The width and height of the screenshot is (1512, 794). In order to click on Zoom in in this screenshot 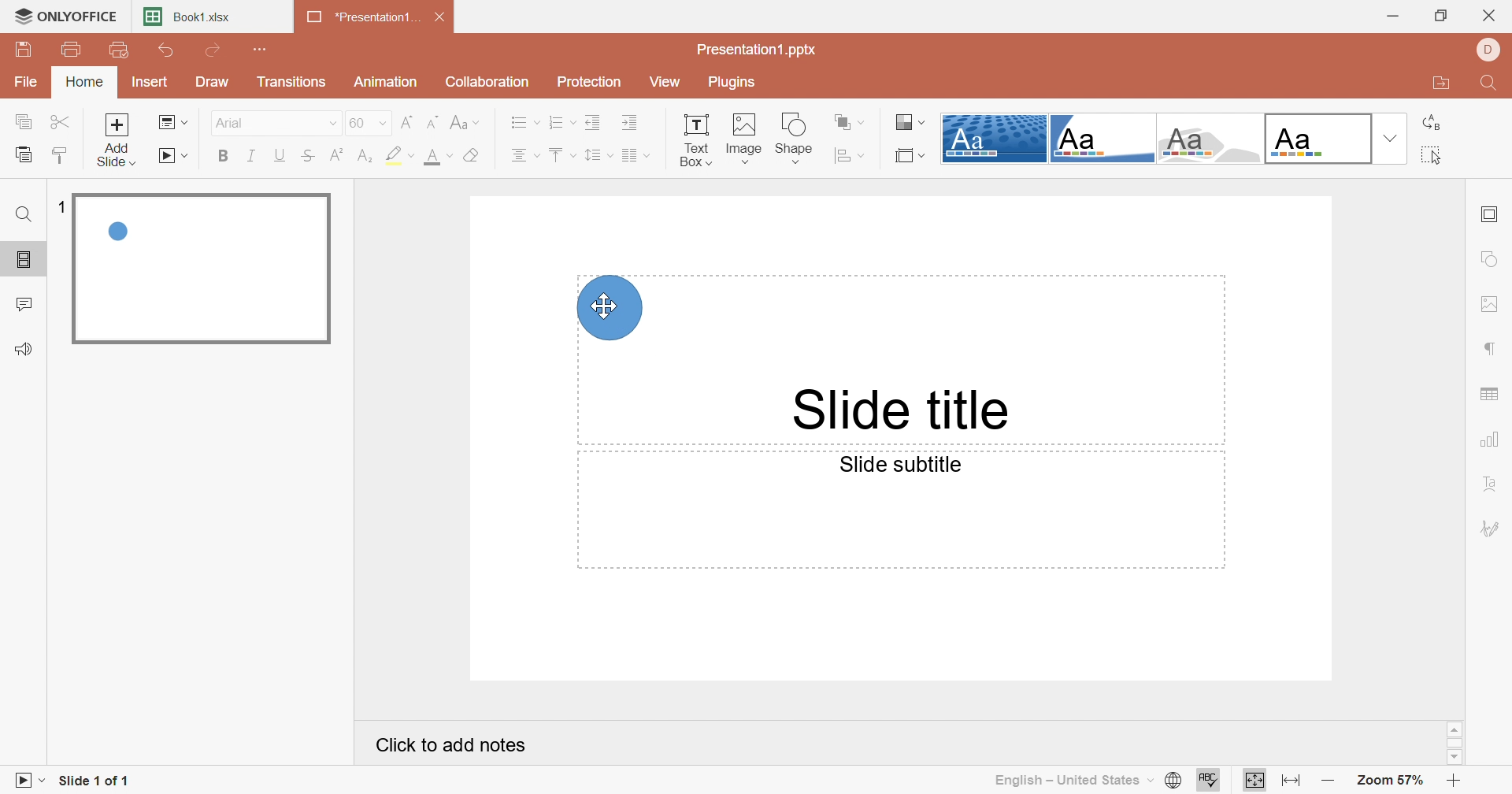, I will do `click(1455, 782)`.